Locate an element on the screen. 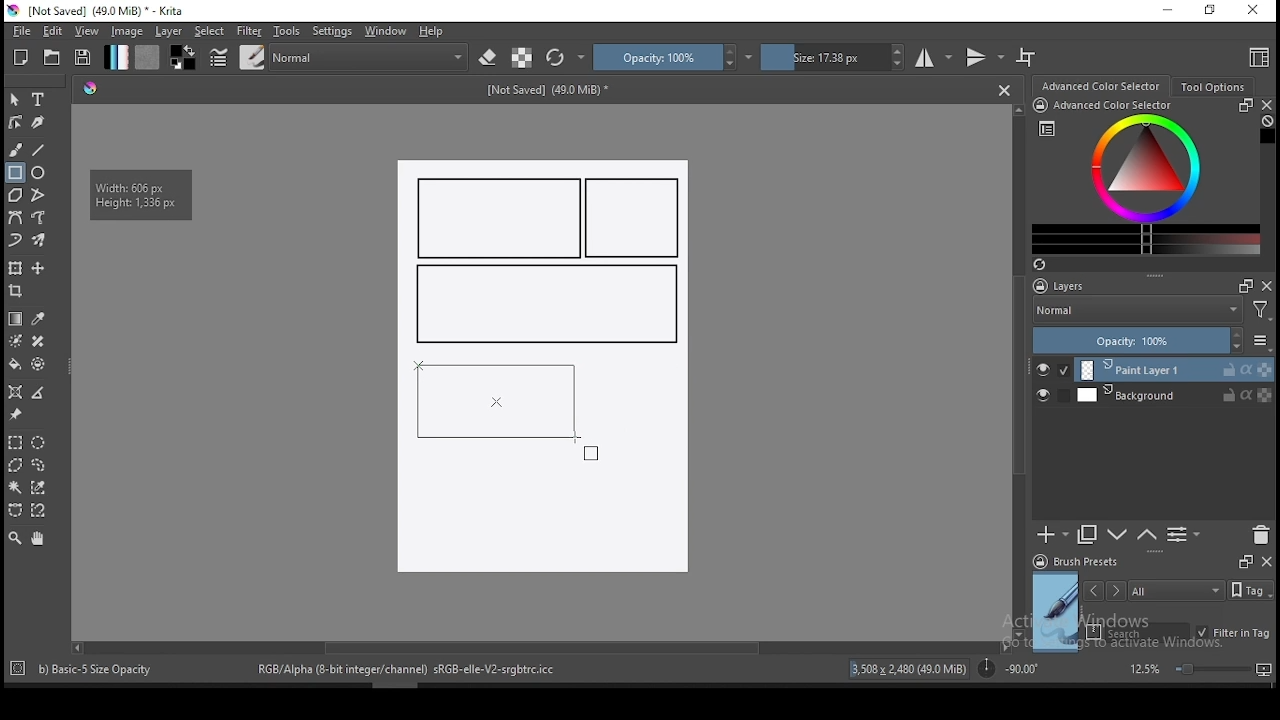 This screenshot has height=720, width=1280. open is located at coordinates (52, 57).